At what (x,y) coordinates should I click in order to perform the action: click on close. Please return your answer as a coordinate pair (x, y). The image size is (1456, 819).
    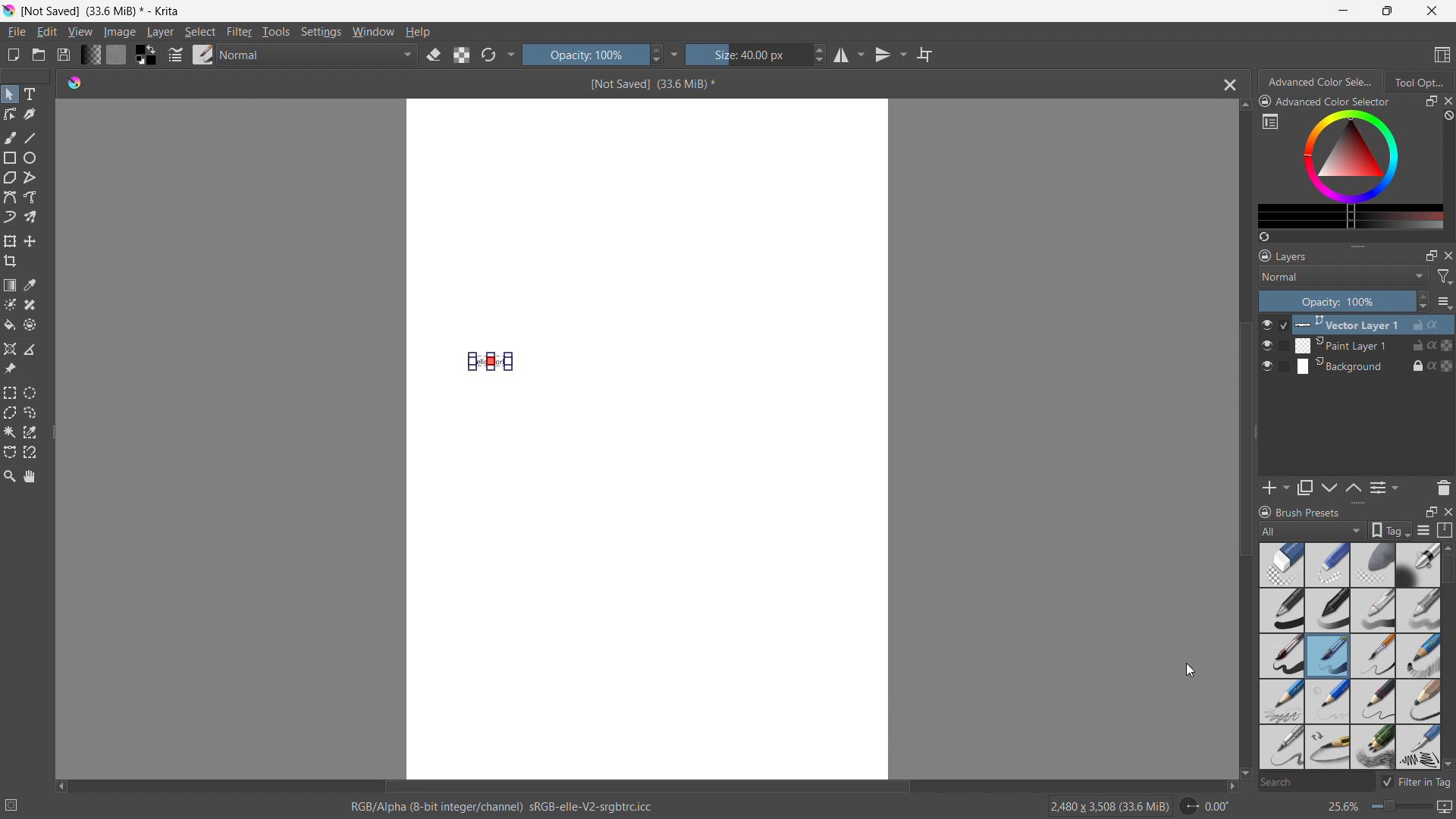
    Looking at the image, I should click on (1432, 11).